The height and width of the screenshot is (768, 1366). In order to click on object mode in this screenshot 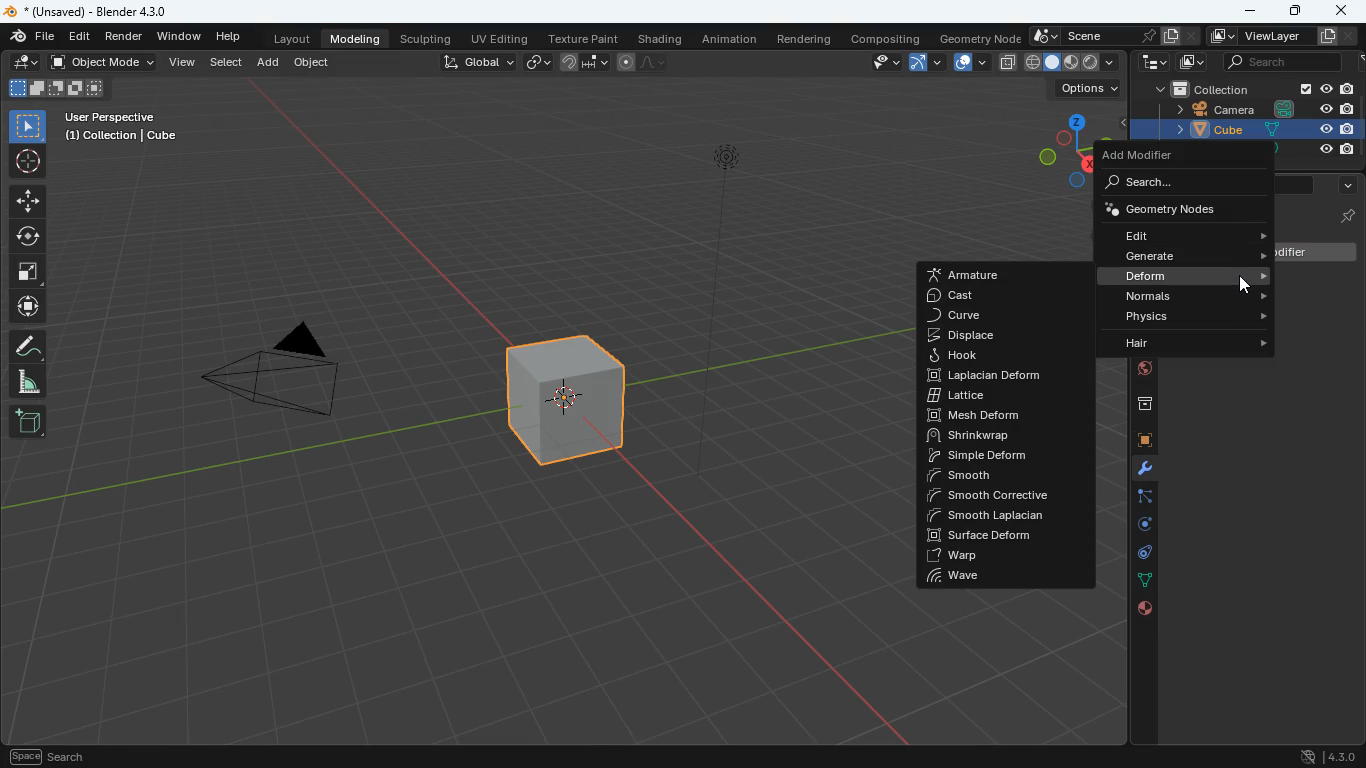, I will do `click(102, 61)`.